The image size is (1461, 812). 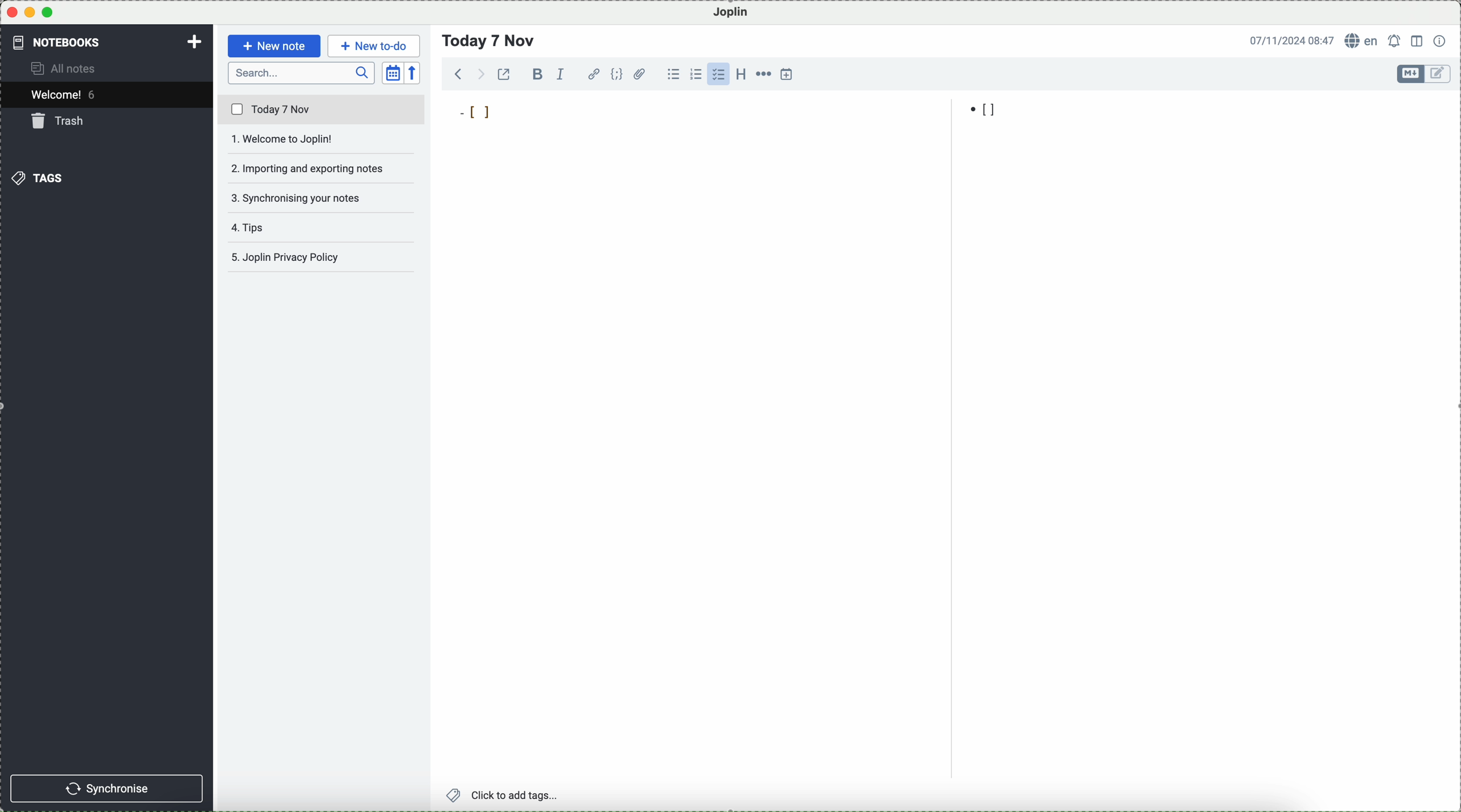 I want to click on add tags, so click(x=504, y=796).